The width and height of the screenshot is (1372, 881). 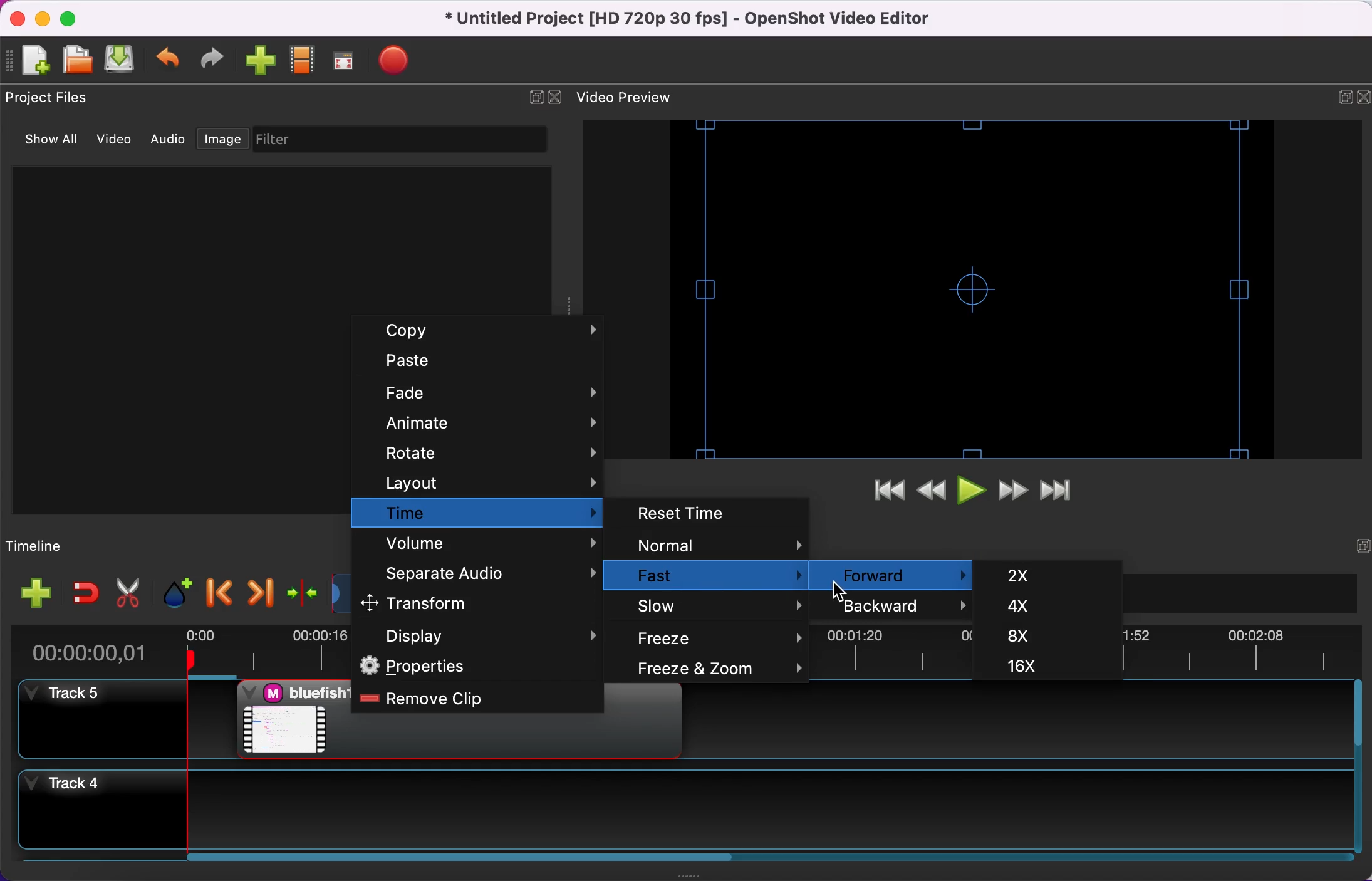 I want to click on video preview, so click(x=970, y=290).